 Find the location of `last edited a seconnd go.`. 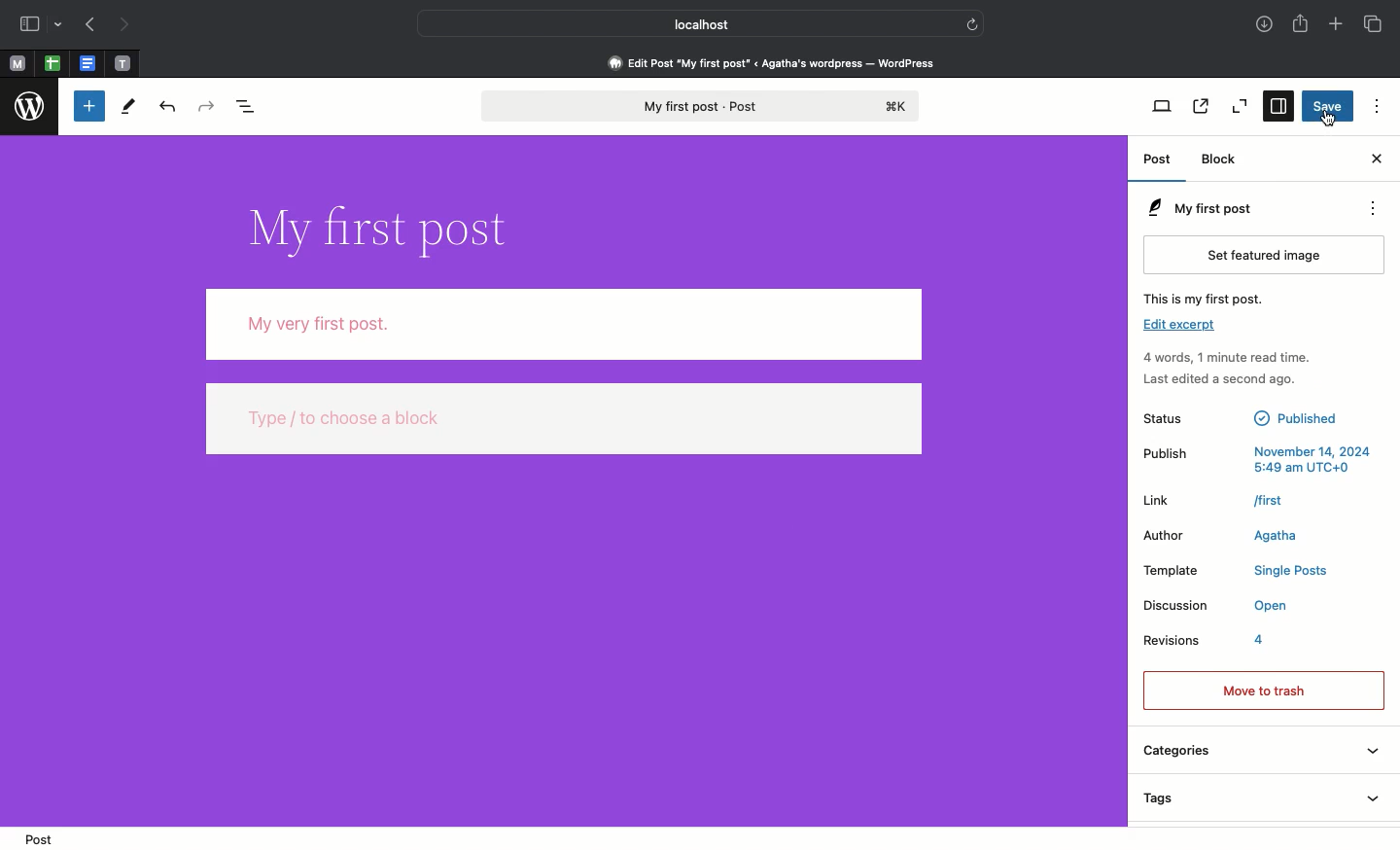

last edited a seconnd go. is located at coordinates (1241, 385).